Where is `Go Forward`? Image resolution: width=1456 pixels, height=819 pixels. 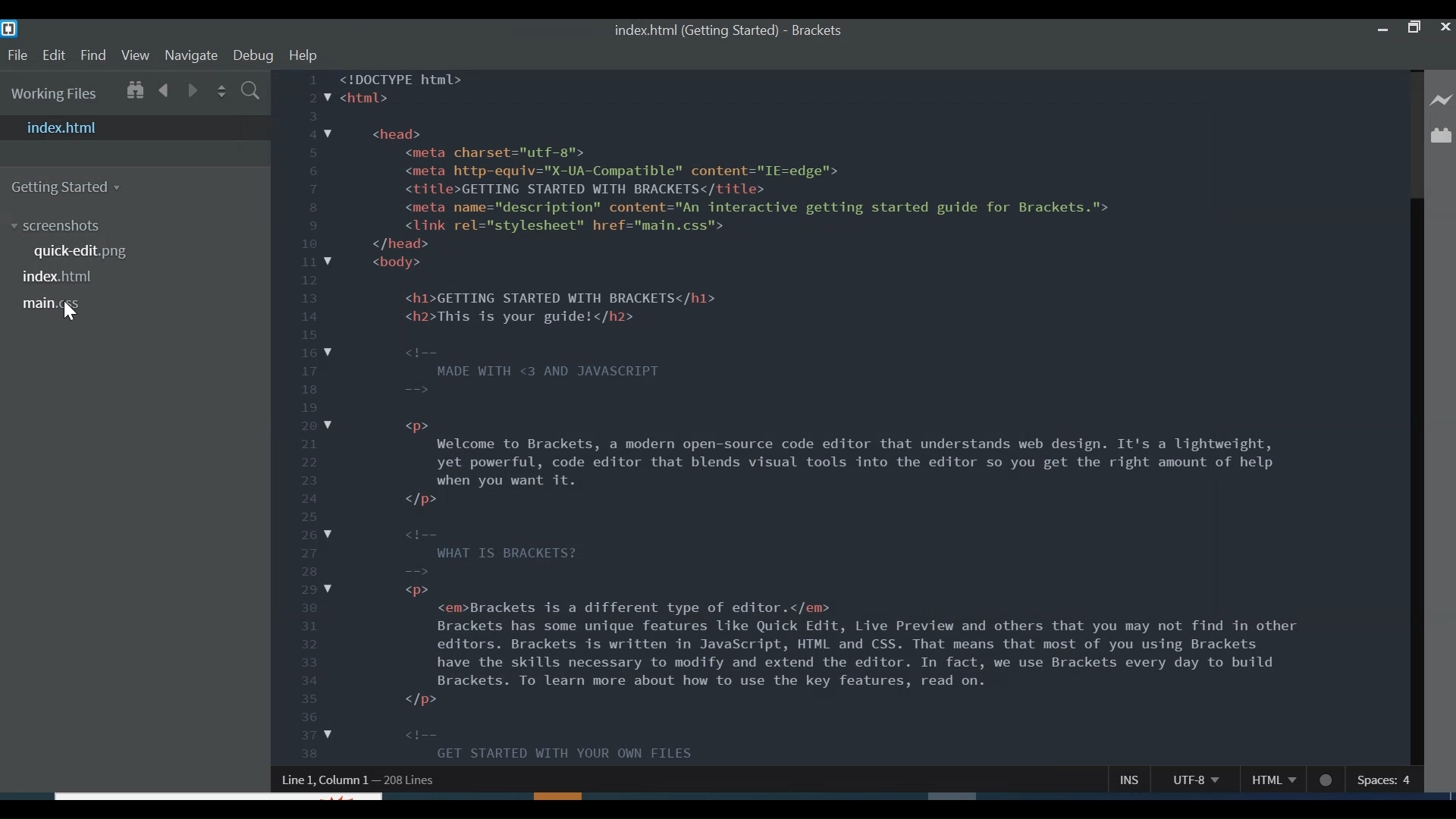 Go Forward is located at coordinates (193, 93).